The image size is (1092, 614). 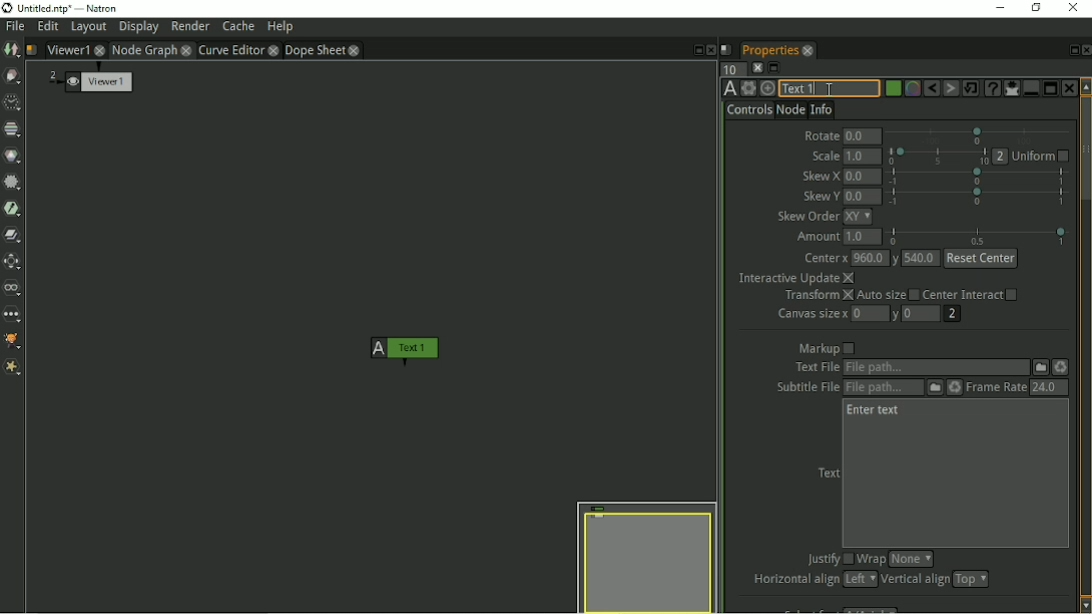 I want to click on none, so click(x=911, y=558).